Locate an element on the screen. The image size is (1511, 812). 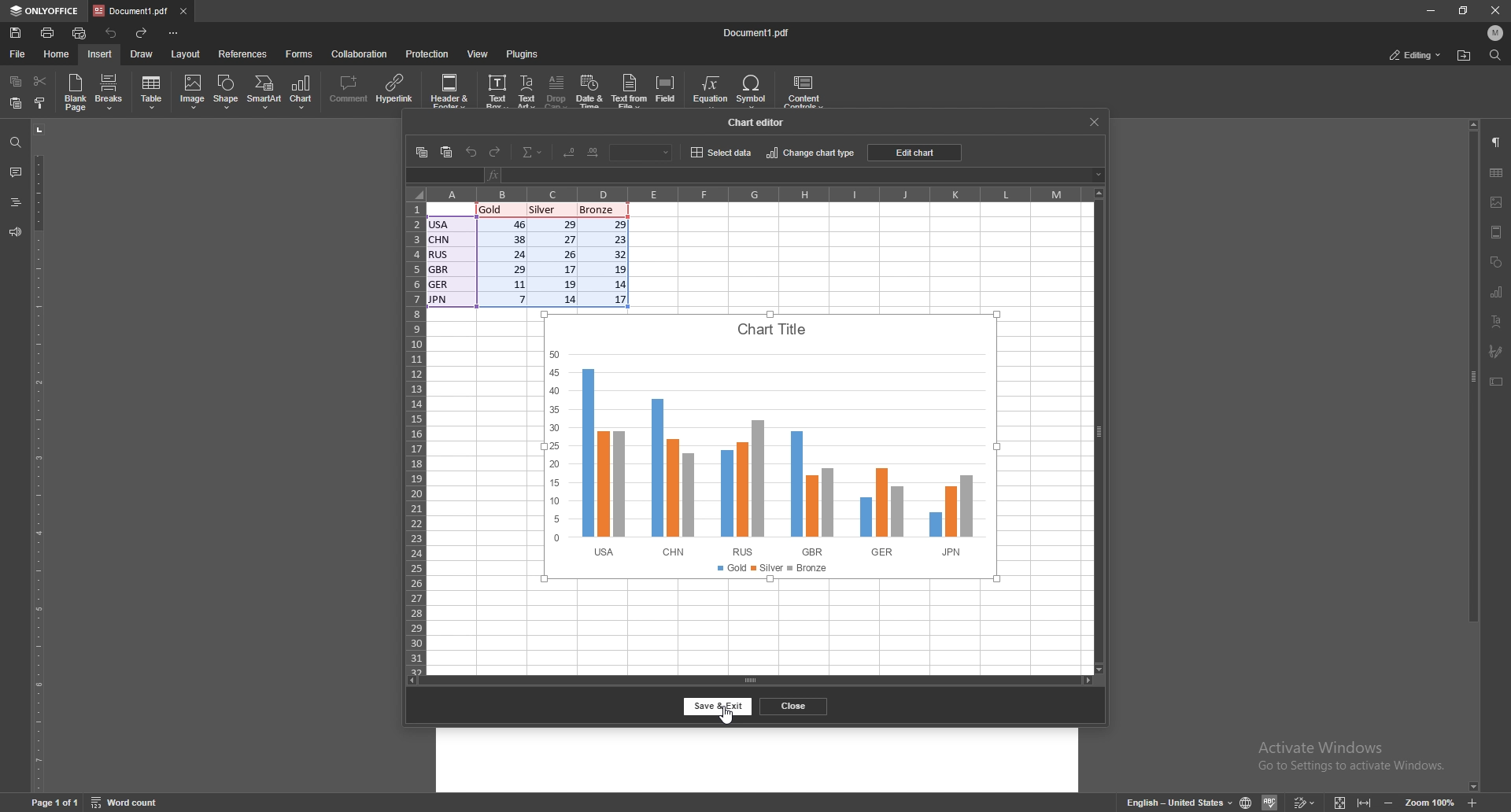
find location is located at coordinates (1465, 55).